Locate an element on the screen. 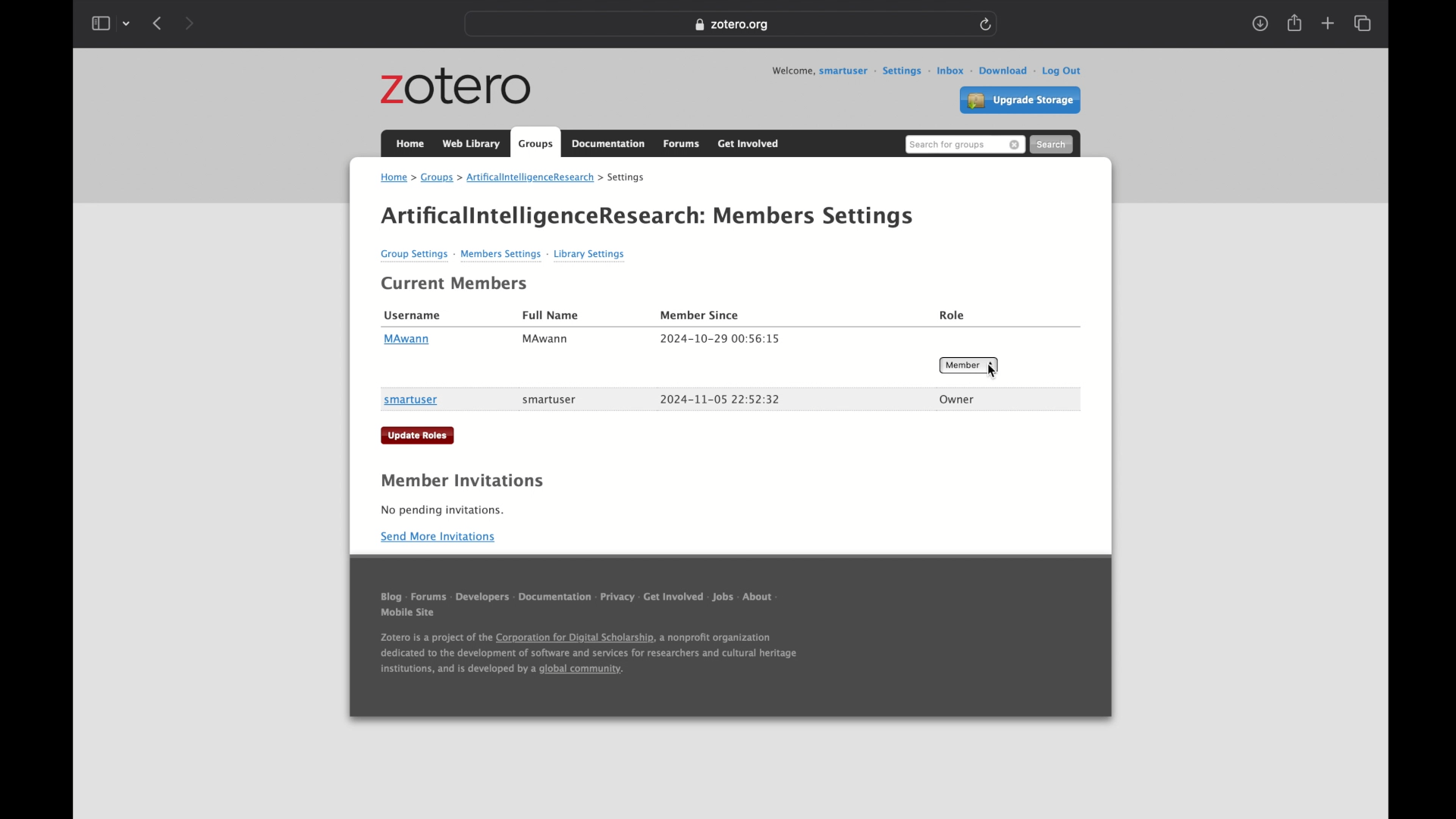 Image resolution: width=1456 pixels, height=819 pixels. show tab overview is located at coordinates (1364, 24).